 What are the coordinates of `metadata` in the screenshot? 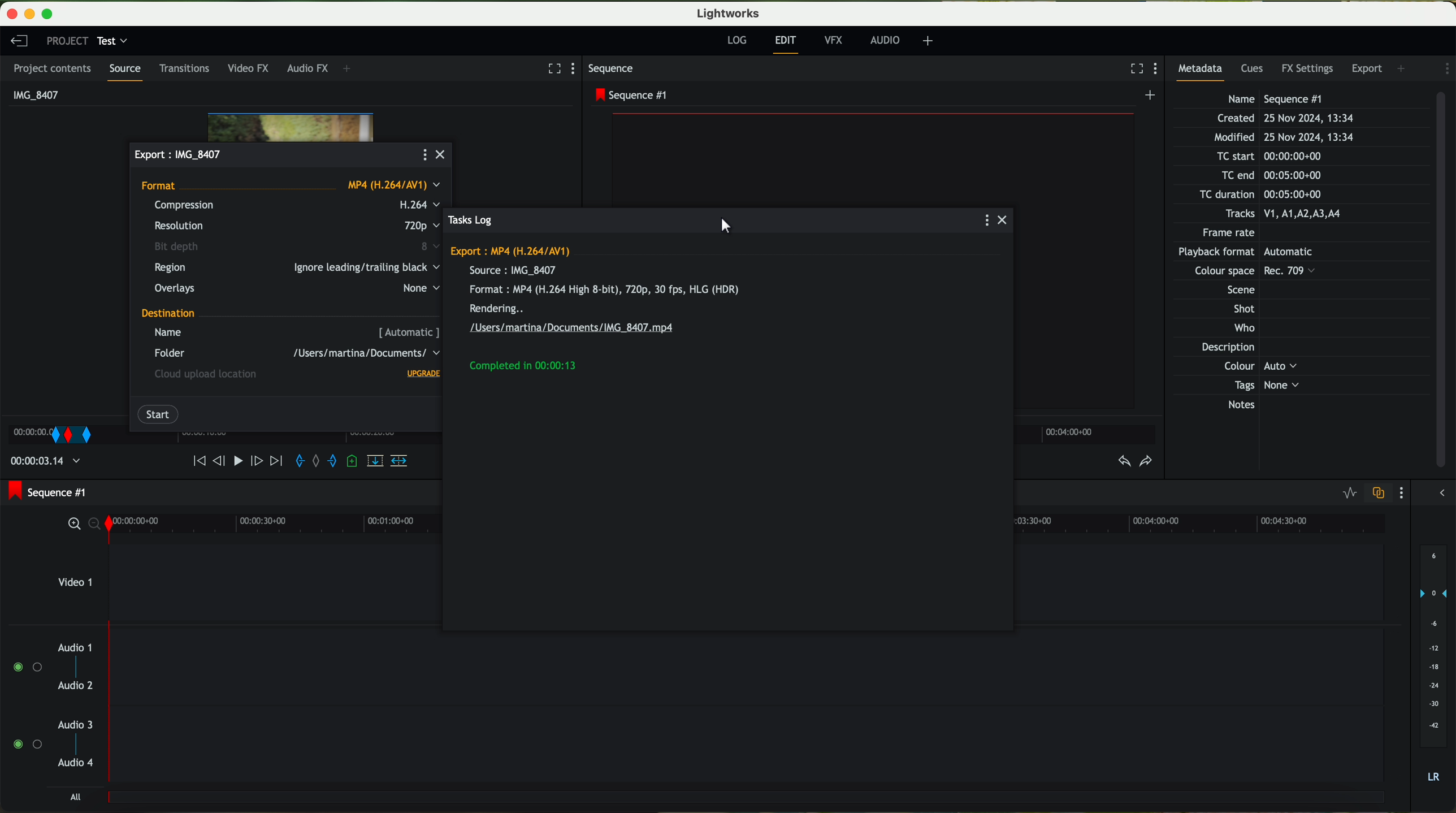 It's located at (1204, 71).